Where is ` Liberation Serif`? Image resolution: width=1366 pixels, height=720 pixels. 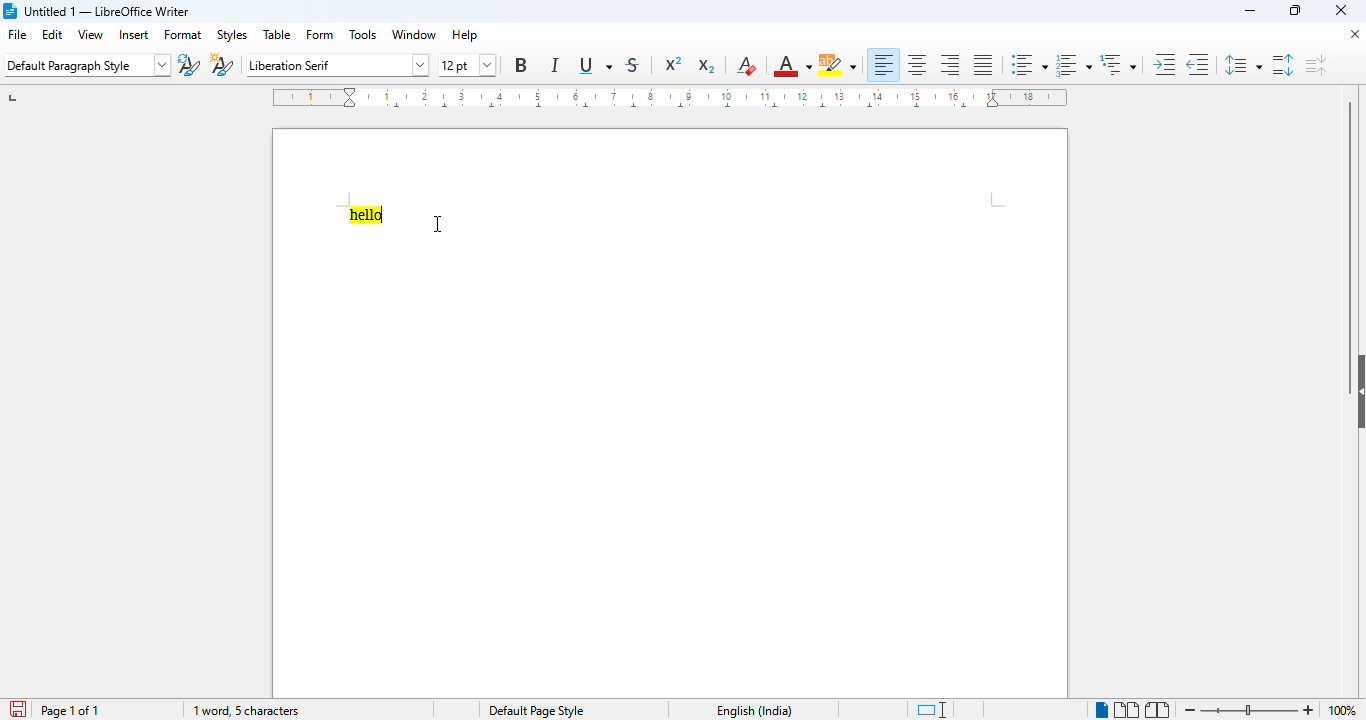
 Liberation Serif is located at coordinates (325, 66).